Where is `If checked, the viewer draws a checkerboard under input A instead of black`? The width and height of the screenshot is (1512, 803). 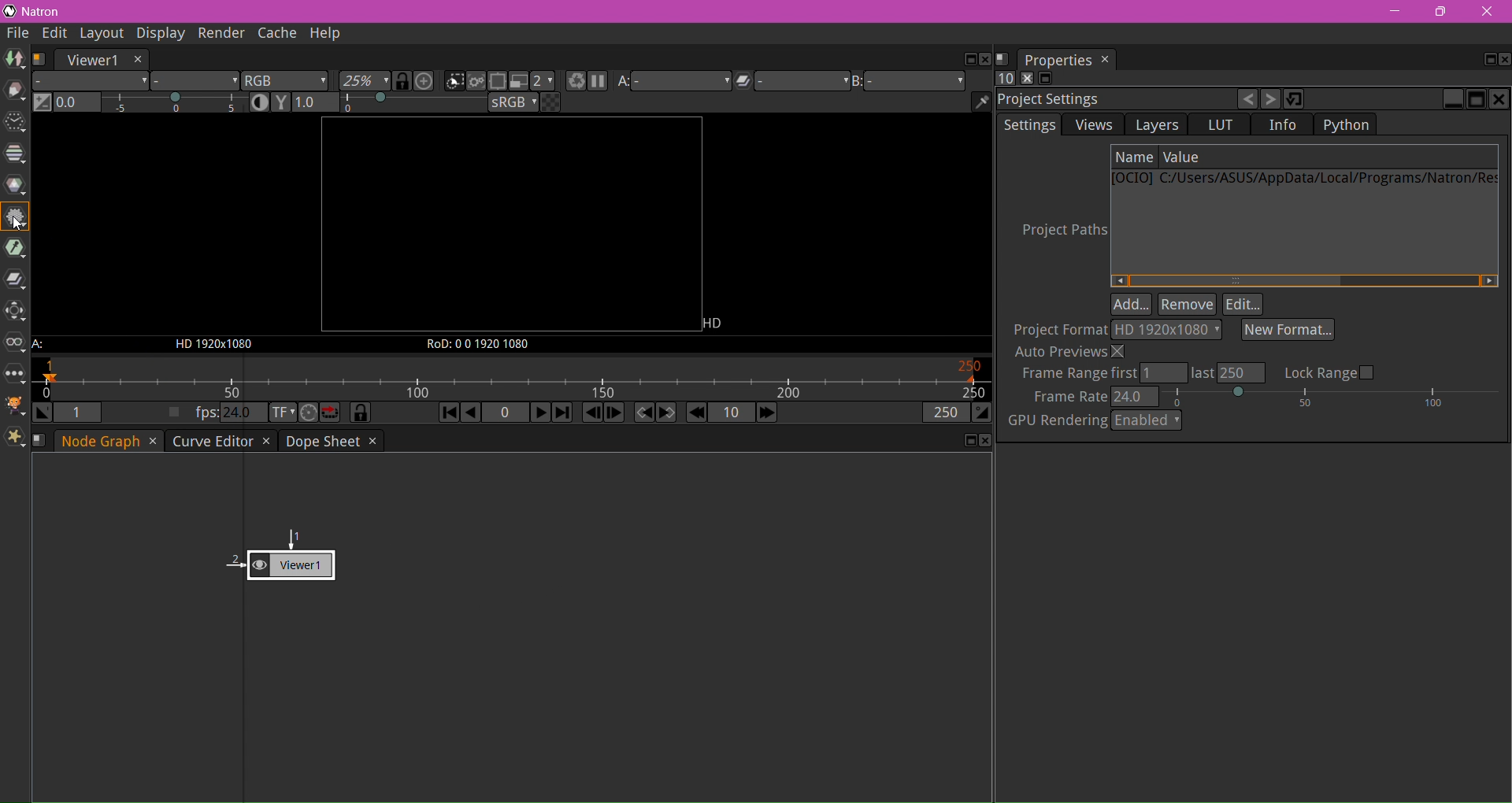 If checked, the viewer draws a checkerboard under input A instead of black is located at coordinates (550, 102).